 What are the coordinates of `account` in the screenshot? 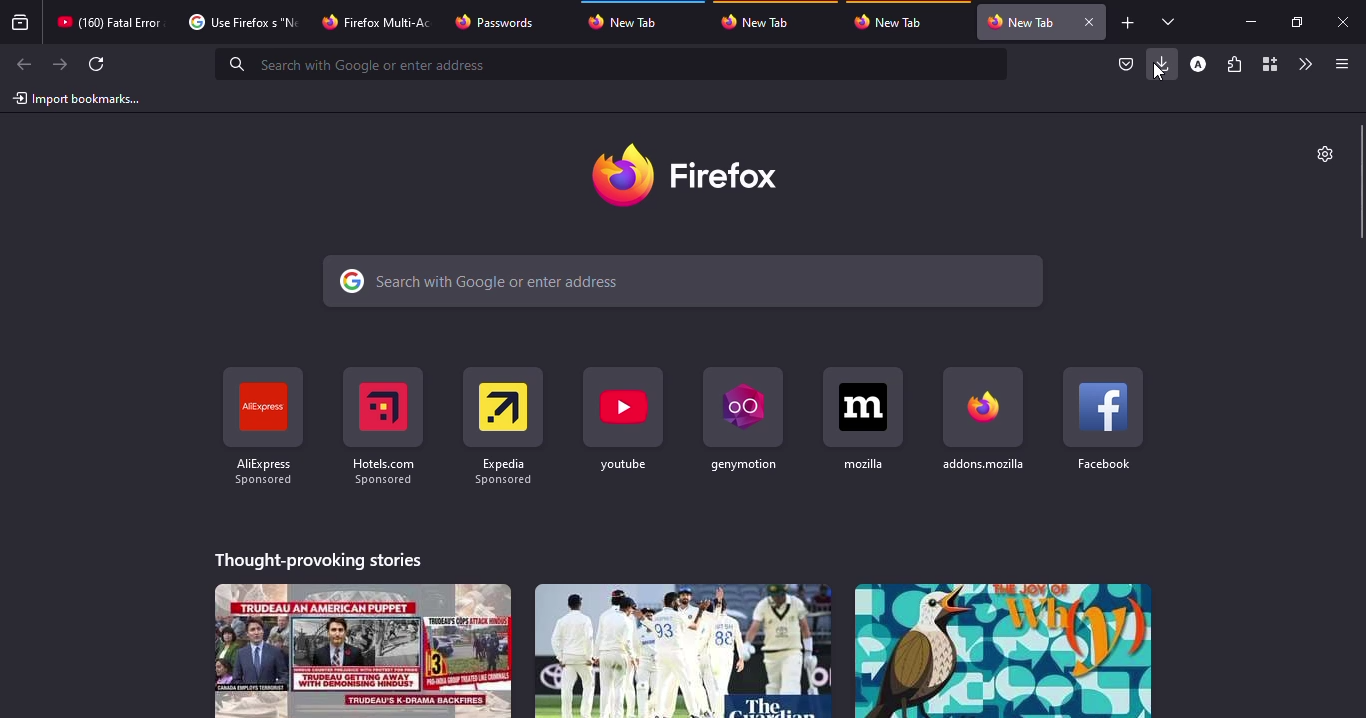 It's located at (1198, 65).